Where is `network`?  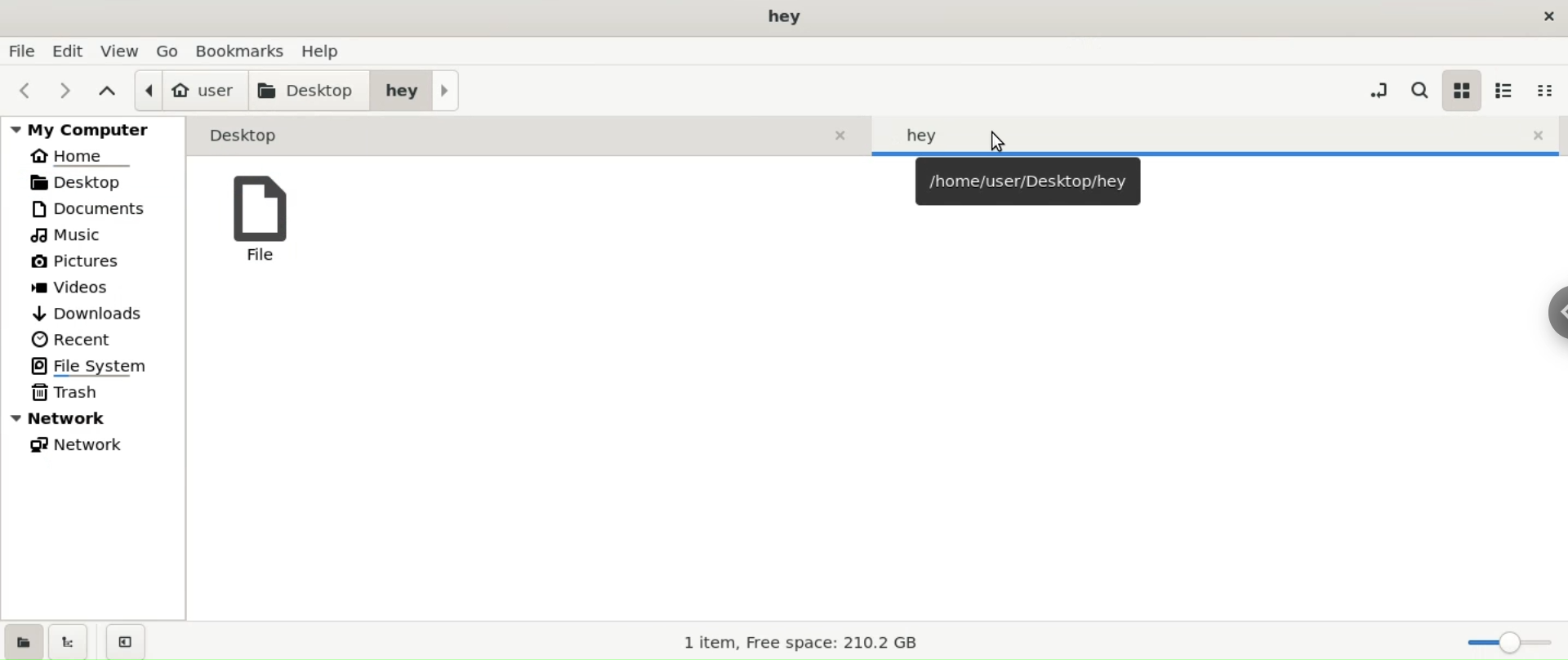 network is located at coordinates (100, 444).